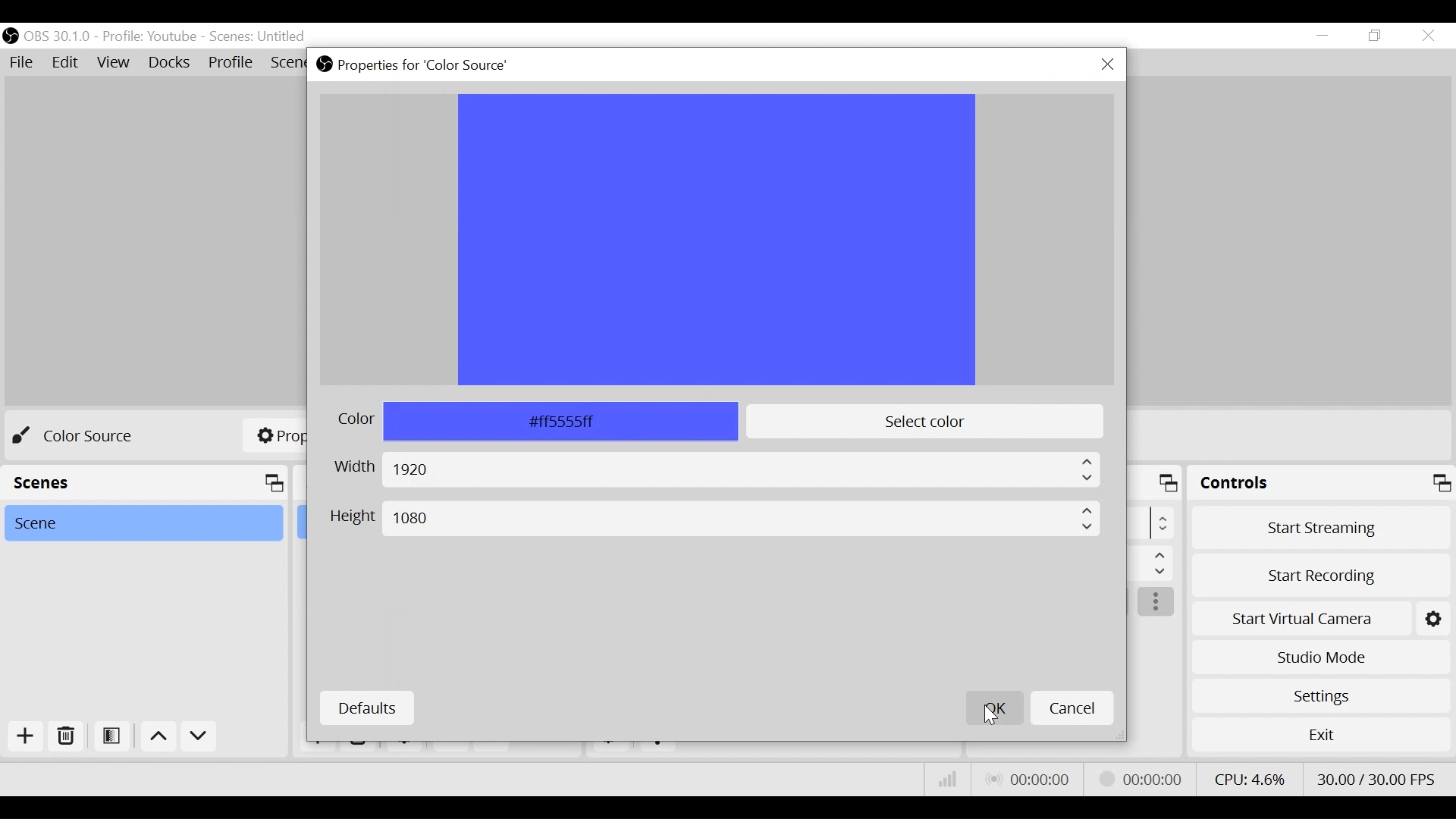 Image resolution: width=1456 pixels, height=819 pixels. Describe the element at coordinates (367, 708) in the screenshot. I see `Defaults` at that location.